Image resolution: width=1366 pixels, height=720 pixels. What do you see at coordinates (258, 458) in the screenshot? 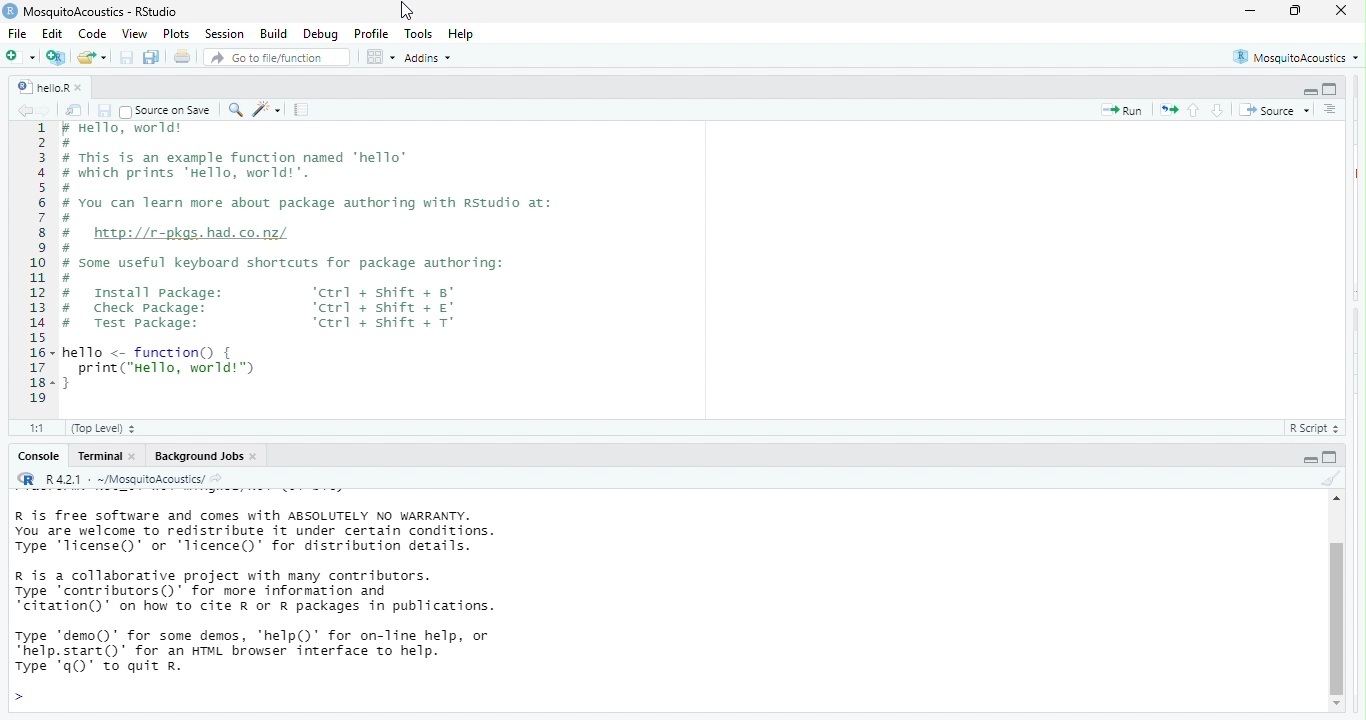
I see `close` at bounding box center [258, 458].